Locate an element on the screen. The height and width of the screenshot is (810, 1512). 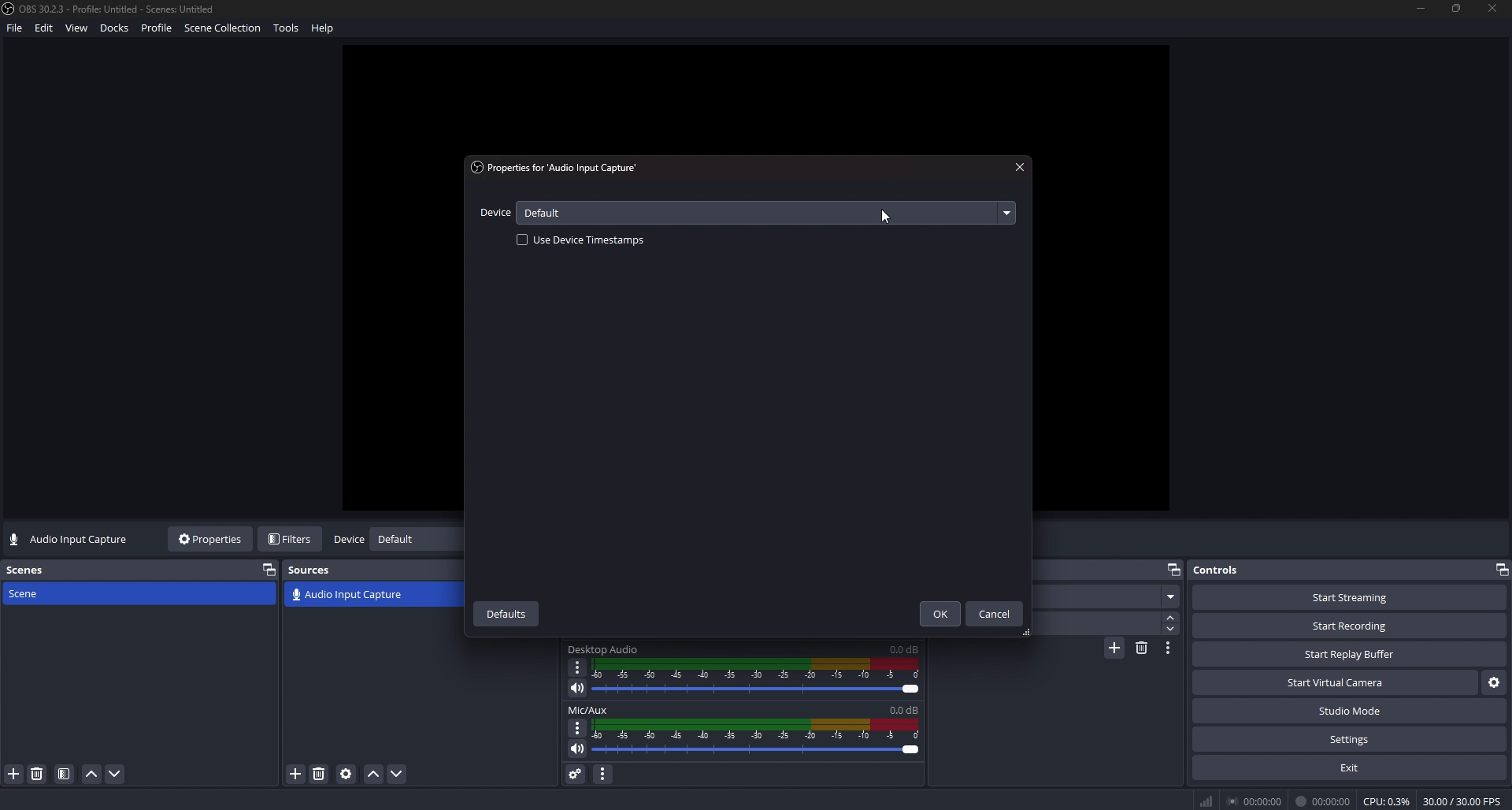
audio mixer is located at coordinates (760, 738).